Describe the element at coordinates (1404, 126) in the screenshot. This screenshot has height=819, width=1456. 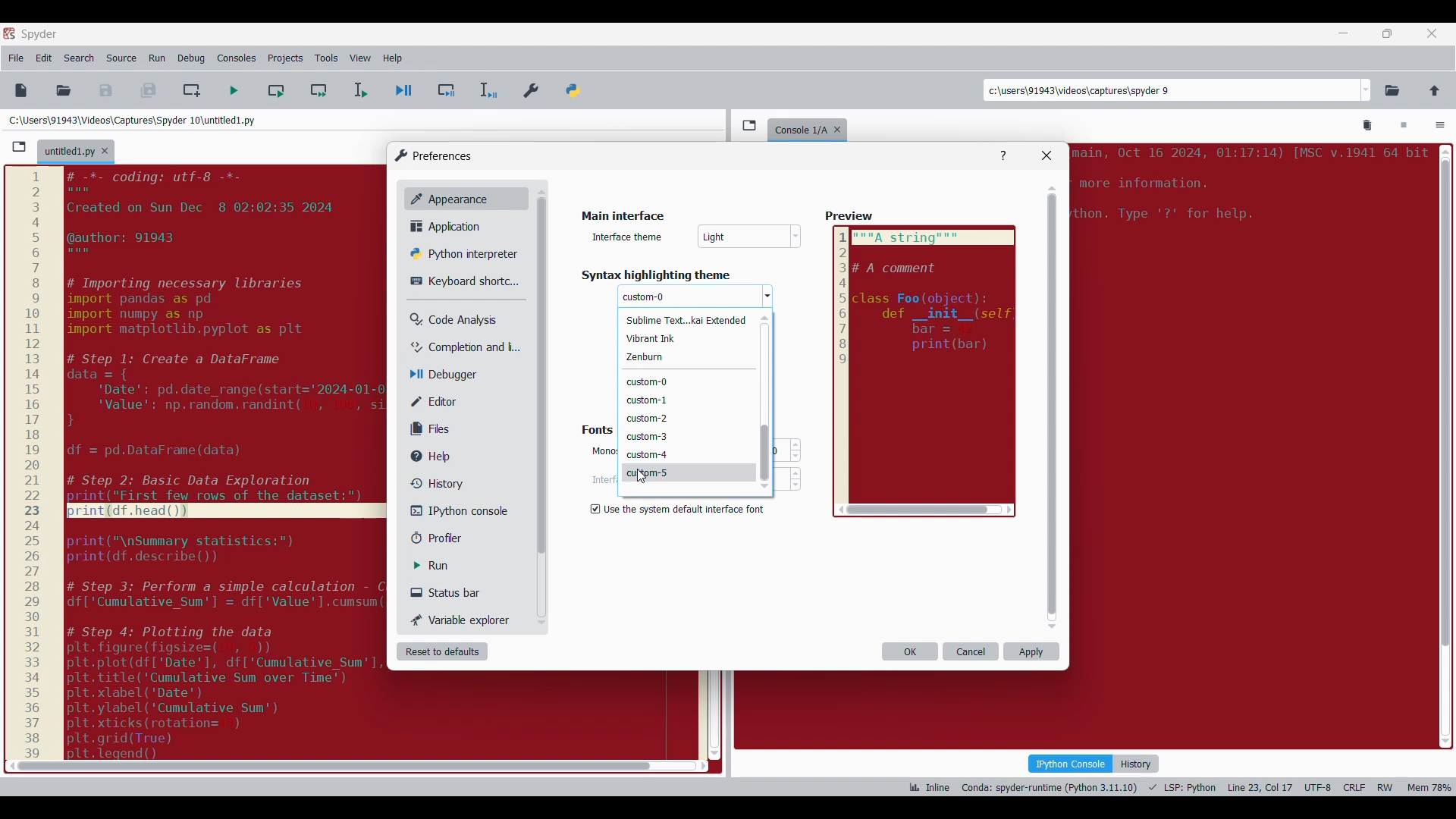
I see `Interrupt kernel` at that location.